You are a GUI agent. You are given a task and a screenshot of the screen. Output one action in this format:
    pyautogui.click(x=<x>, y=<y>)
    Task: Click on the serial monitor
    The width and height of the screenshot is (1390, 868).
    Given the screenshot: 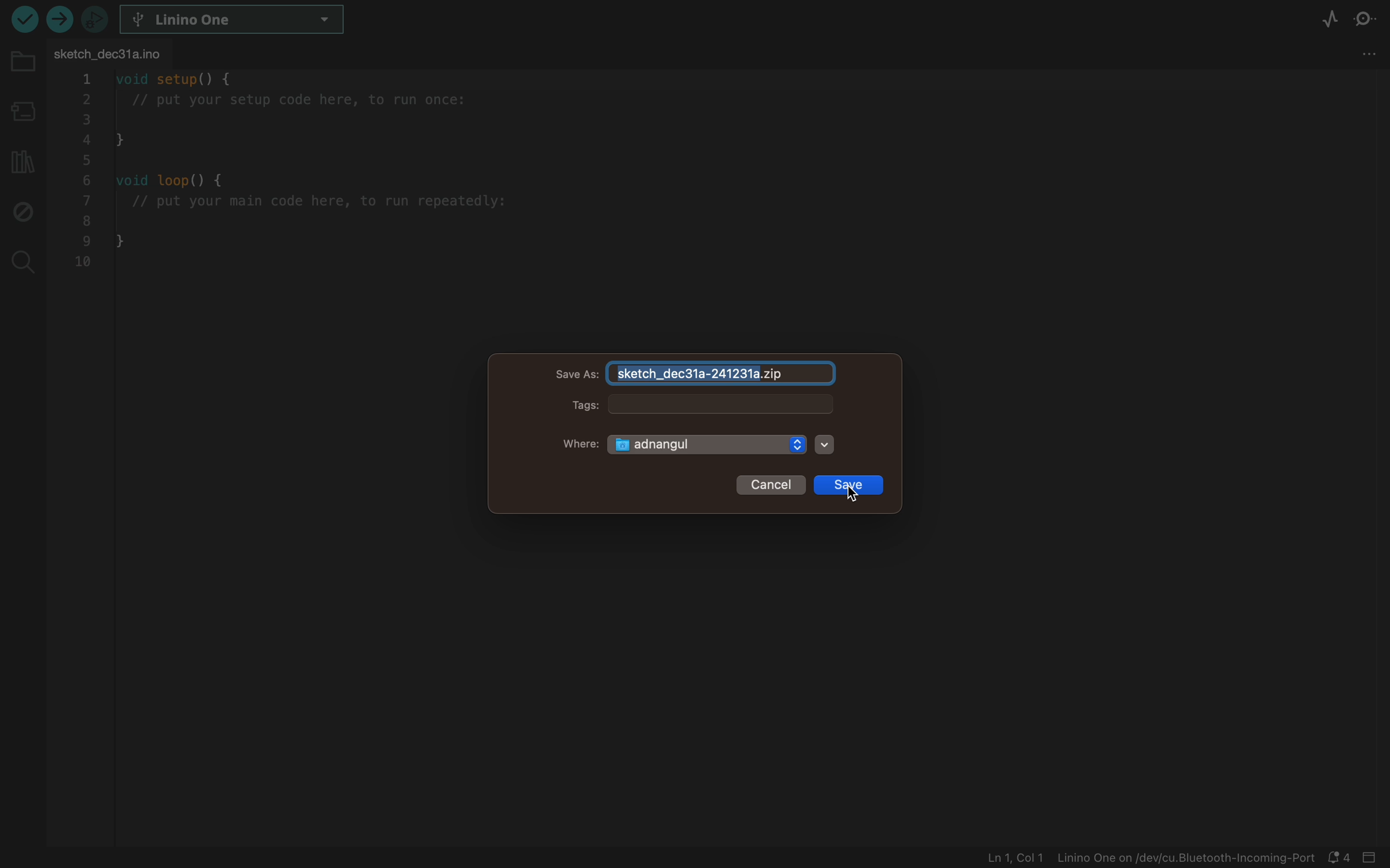 What is the action you would take?
    pyautogui.click(x=1369, y=22)
    